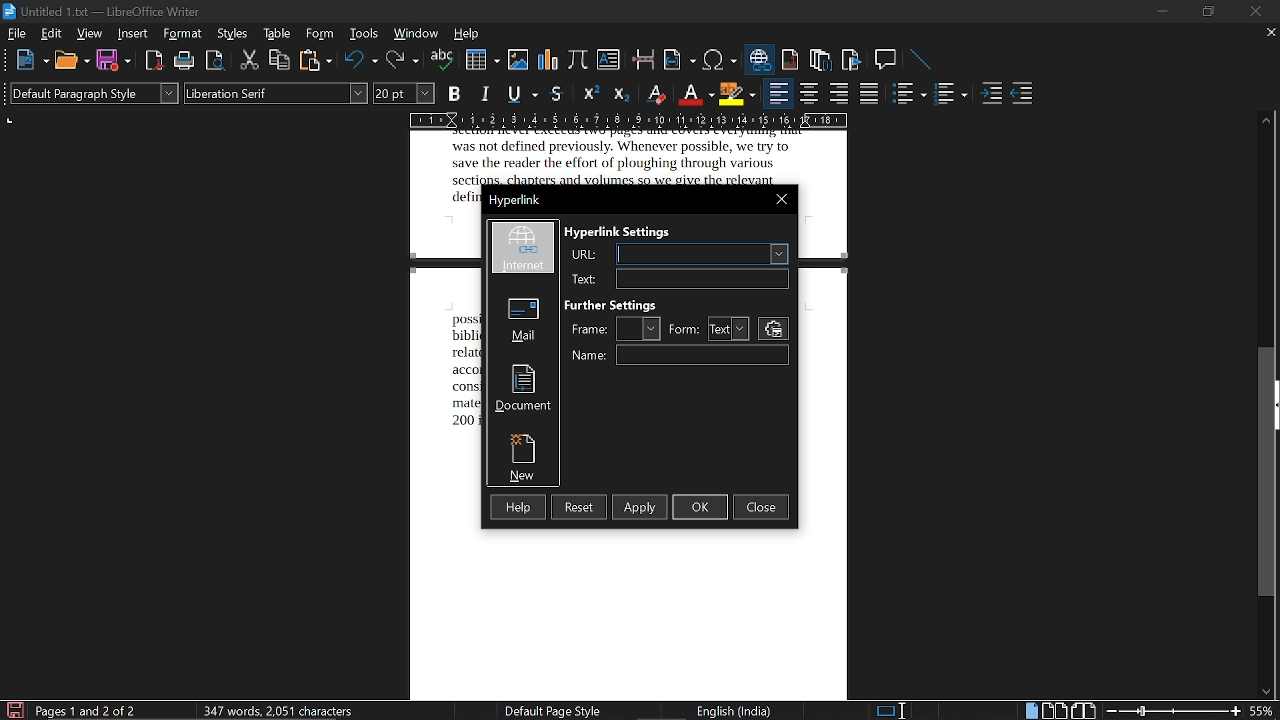 The image size is (1280, 720). I want to click on insert field, so click(681, 60).